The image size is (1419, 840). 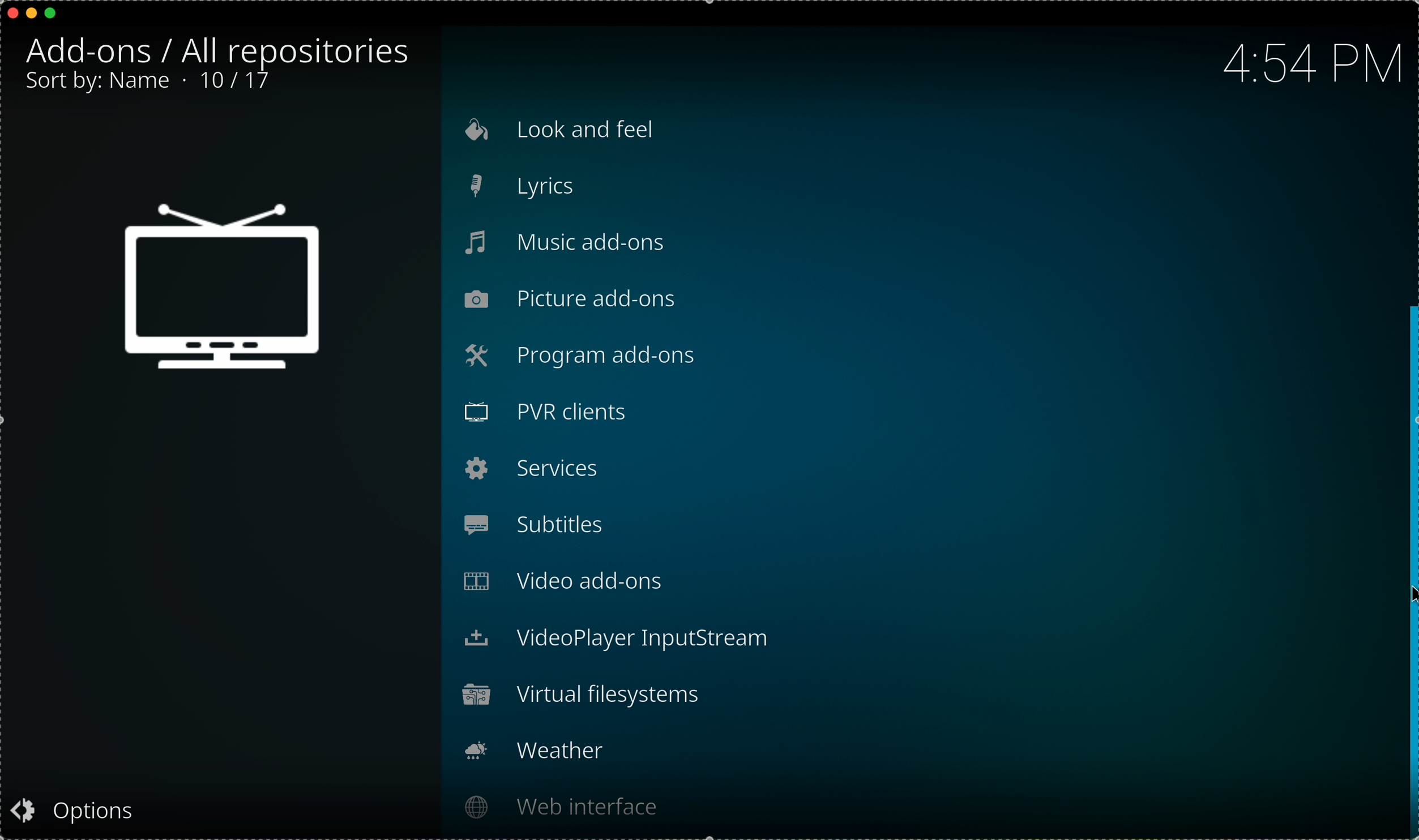 I want to click on web interface, so click(x=558, y=806).